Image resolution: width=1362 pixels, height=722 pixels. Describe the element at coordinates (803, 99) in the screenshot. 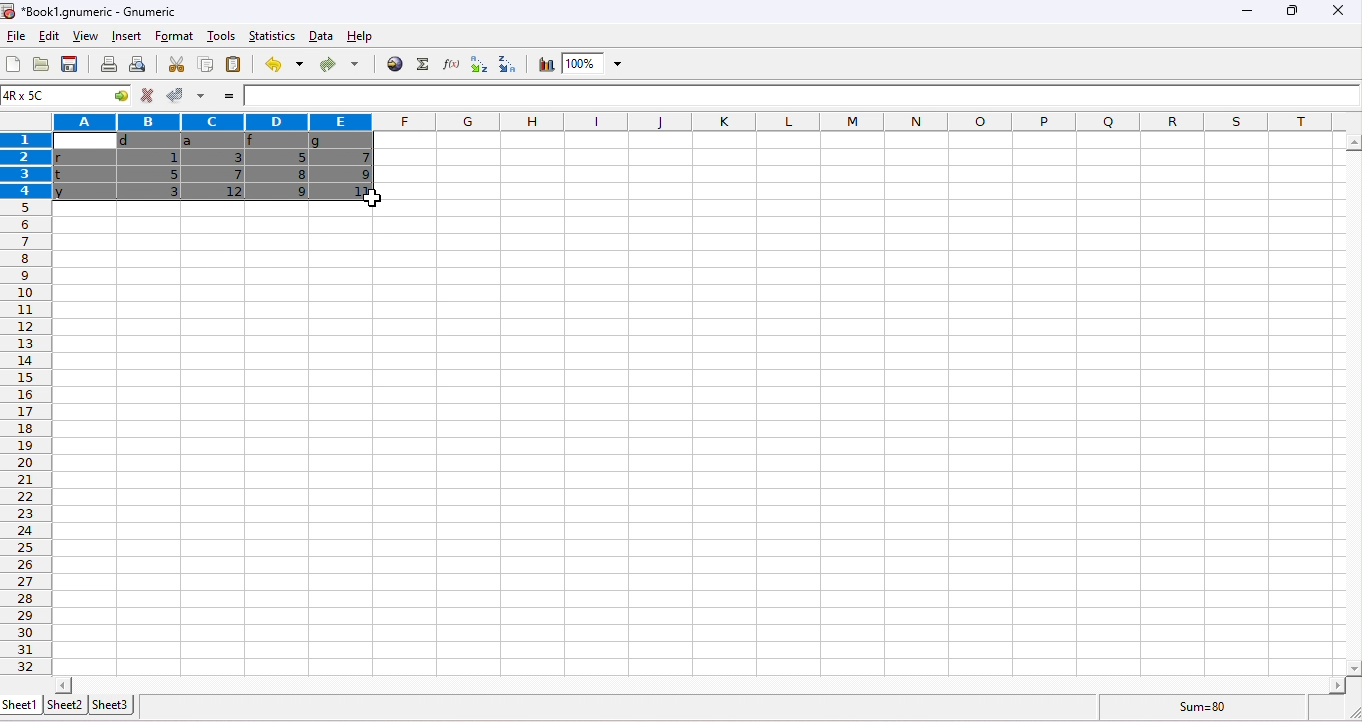

I see `formula bar` at that location.